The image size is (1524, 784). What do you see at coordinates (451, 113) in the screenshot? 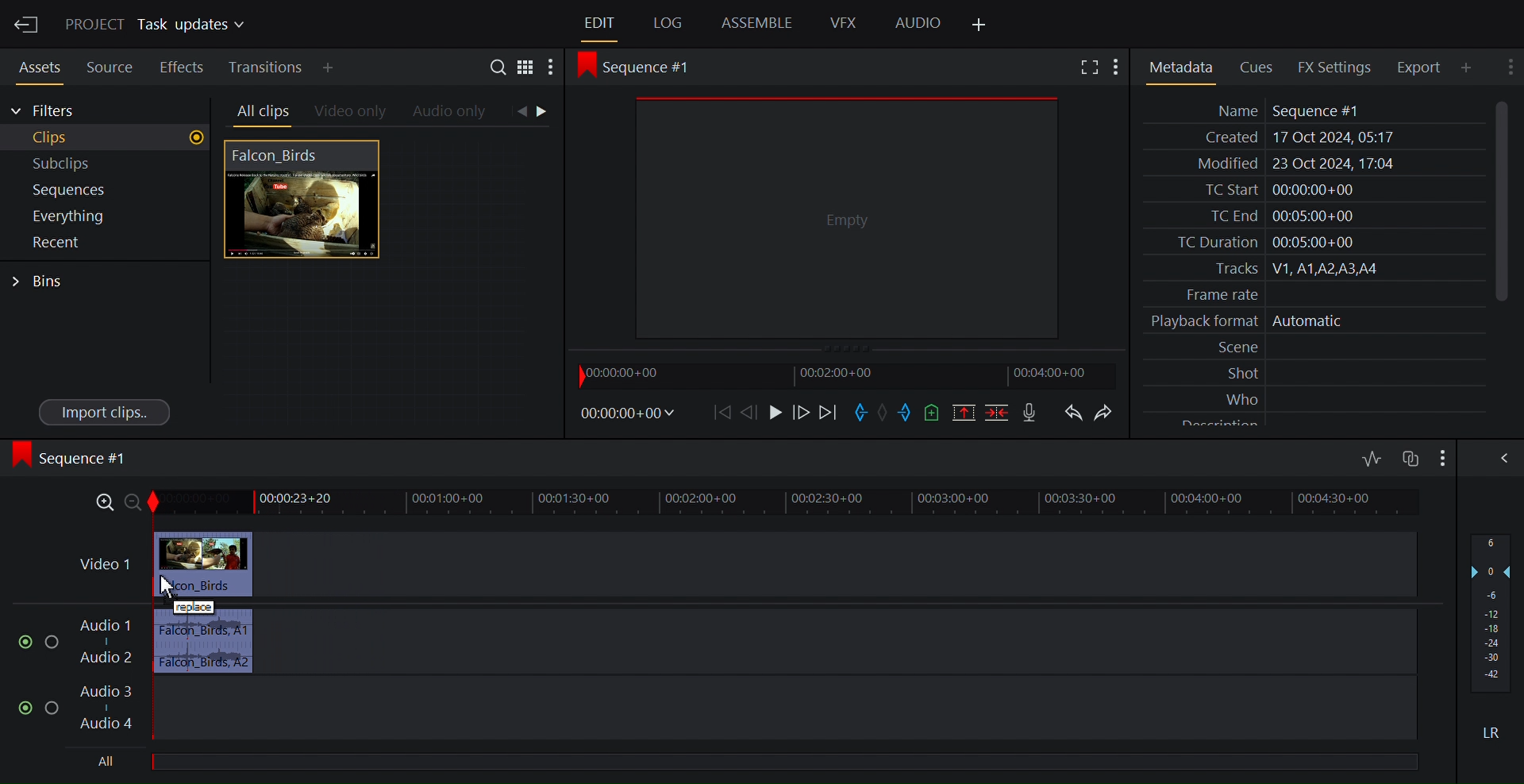
I see `Audio only` at bounding box center [451, 113].